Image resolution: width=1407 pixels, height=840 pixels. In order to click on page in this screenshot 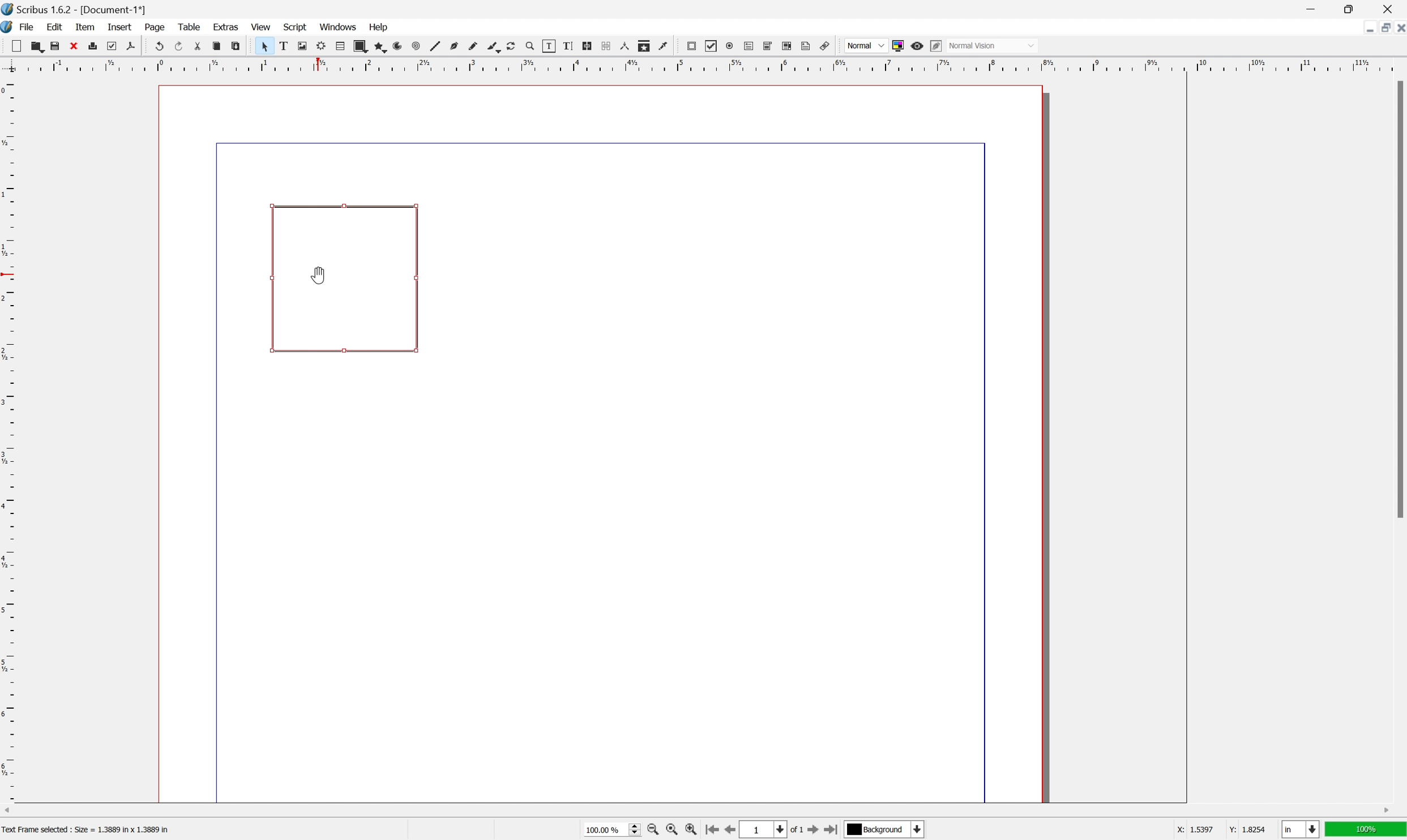, I will do `click(156, 27)`.